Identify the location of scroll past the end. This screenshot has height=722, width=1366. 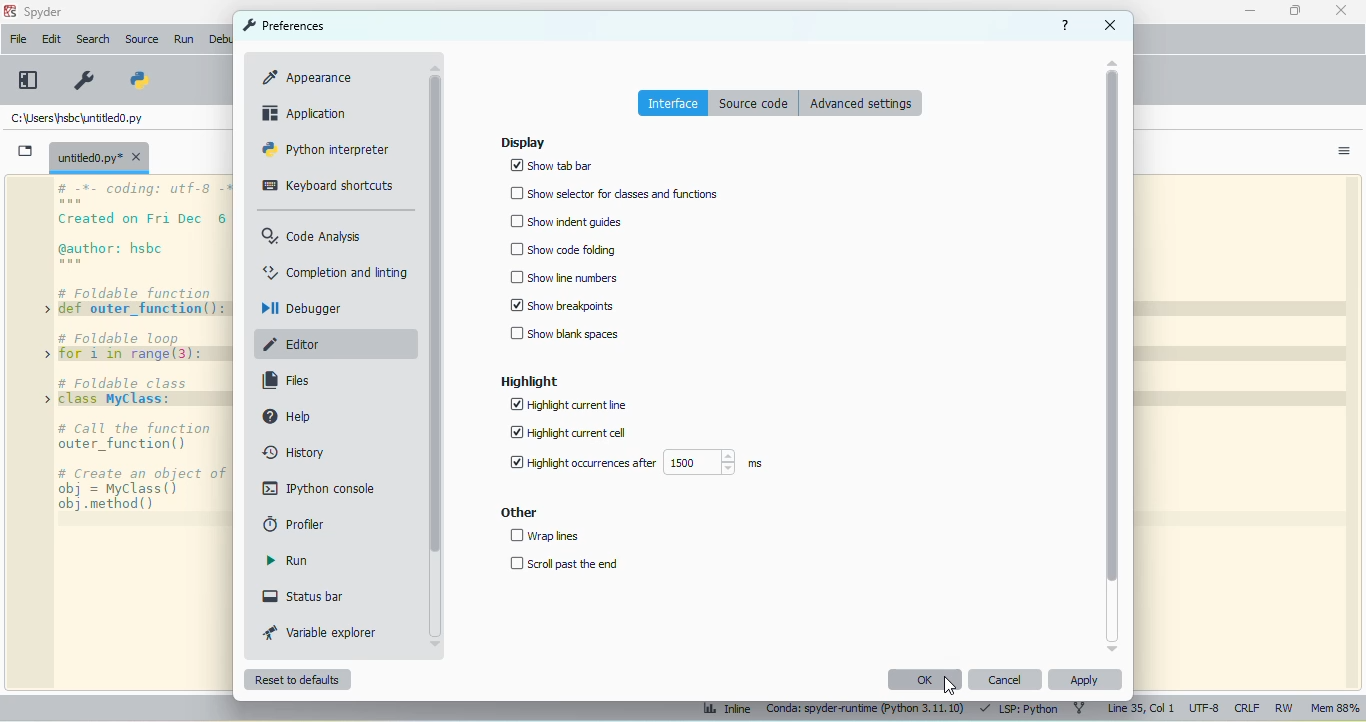
(564, 563).